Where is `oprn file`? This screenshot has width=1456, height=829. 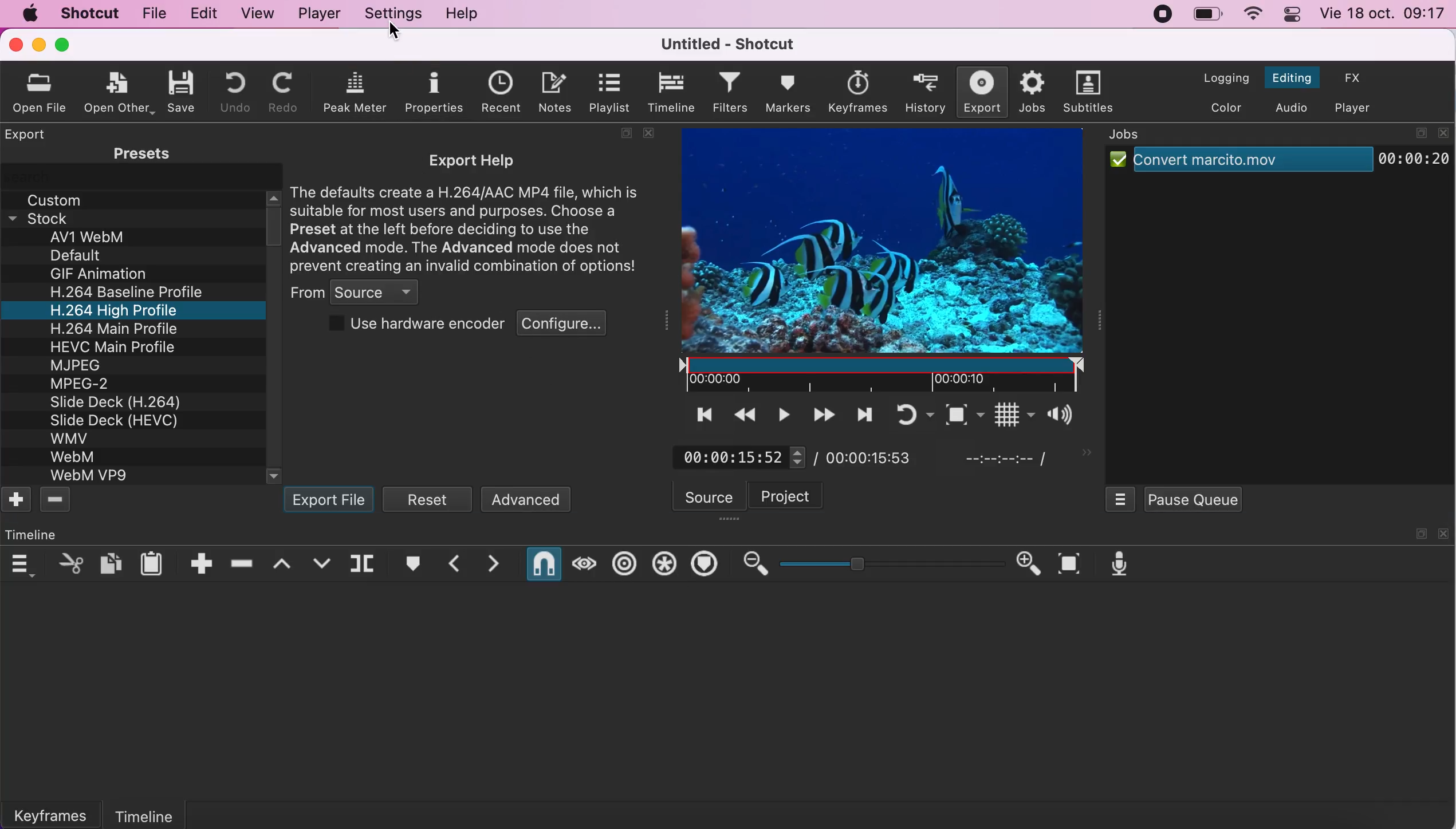 oprn file is located at coordinates (45, 92).